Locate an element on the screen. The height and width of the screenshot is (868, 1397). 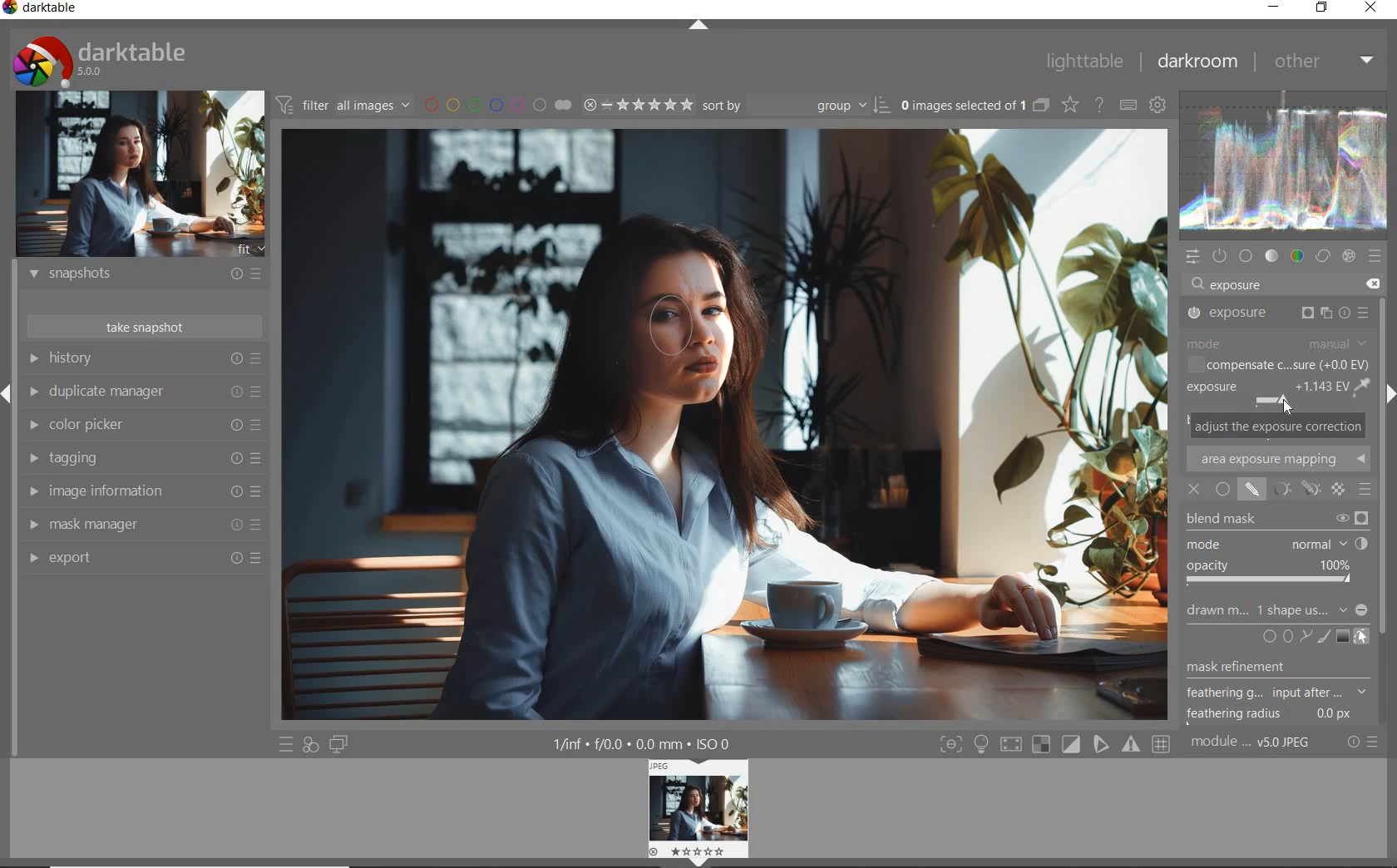
display a second darkroom image below is located at coordinates (339, 745).